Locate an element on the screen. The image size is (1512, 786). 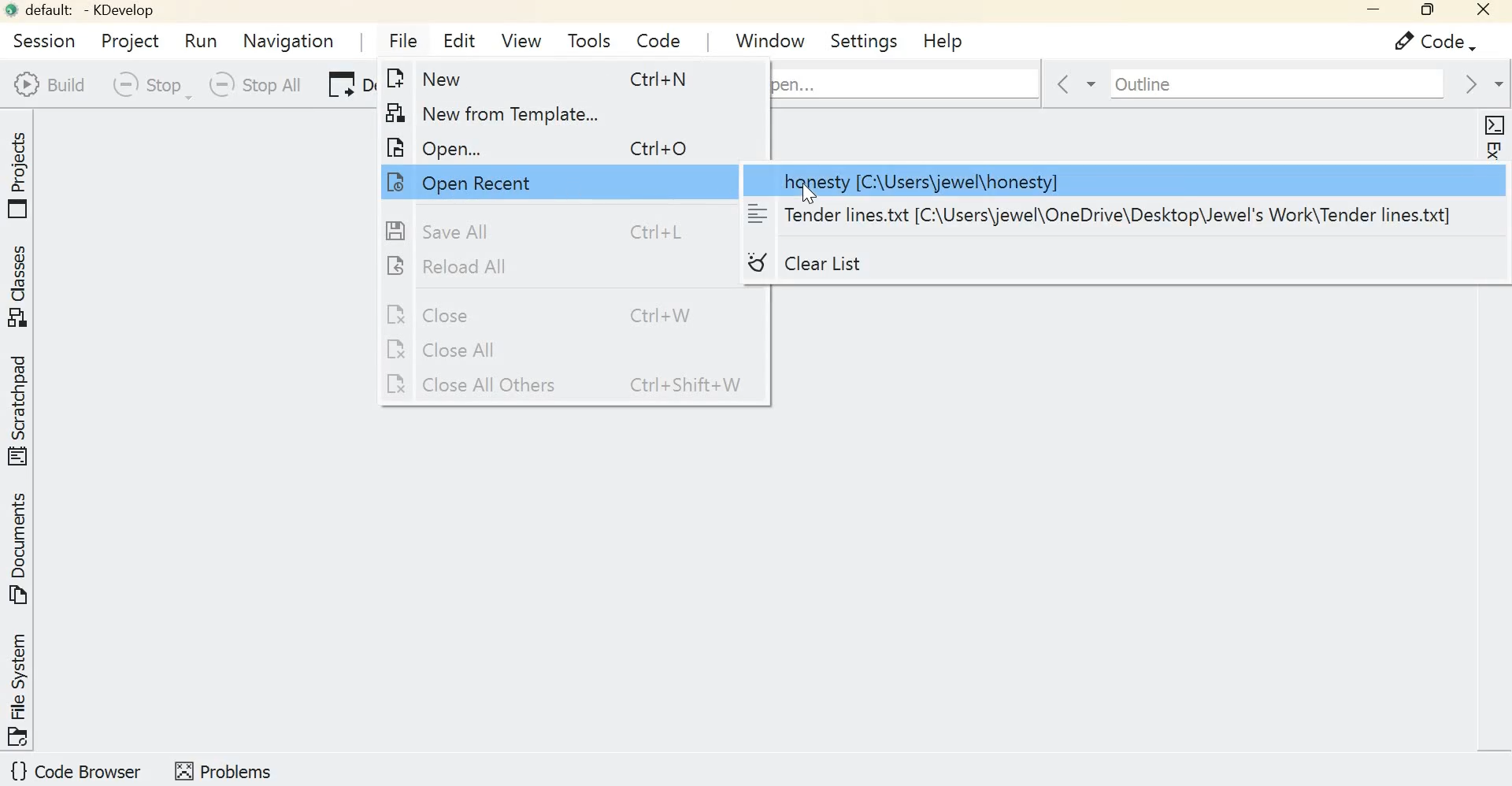
Window is located at coordinates (771, 39).